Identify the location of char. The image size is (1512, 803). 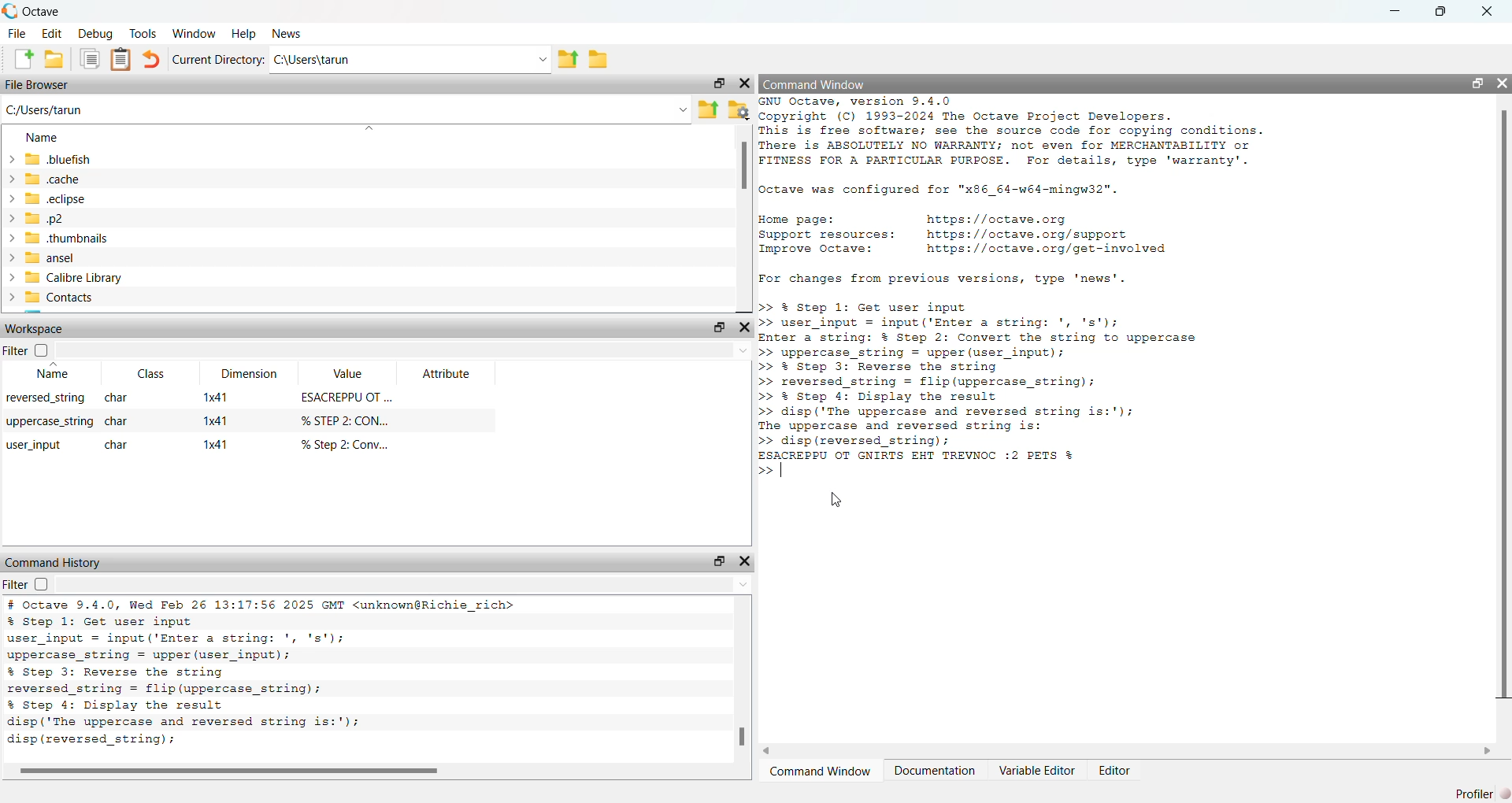
(120, 398).